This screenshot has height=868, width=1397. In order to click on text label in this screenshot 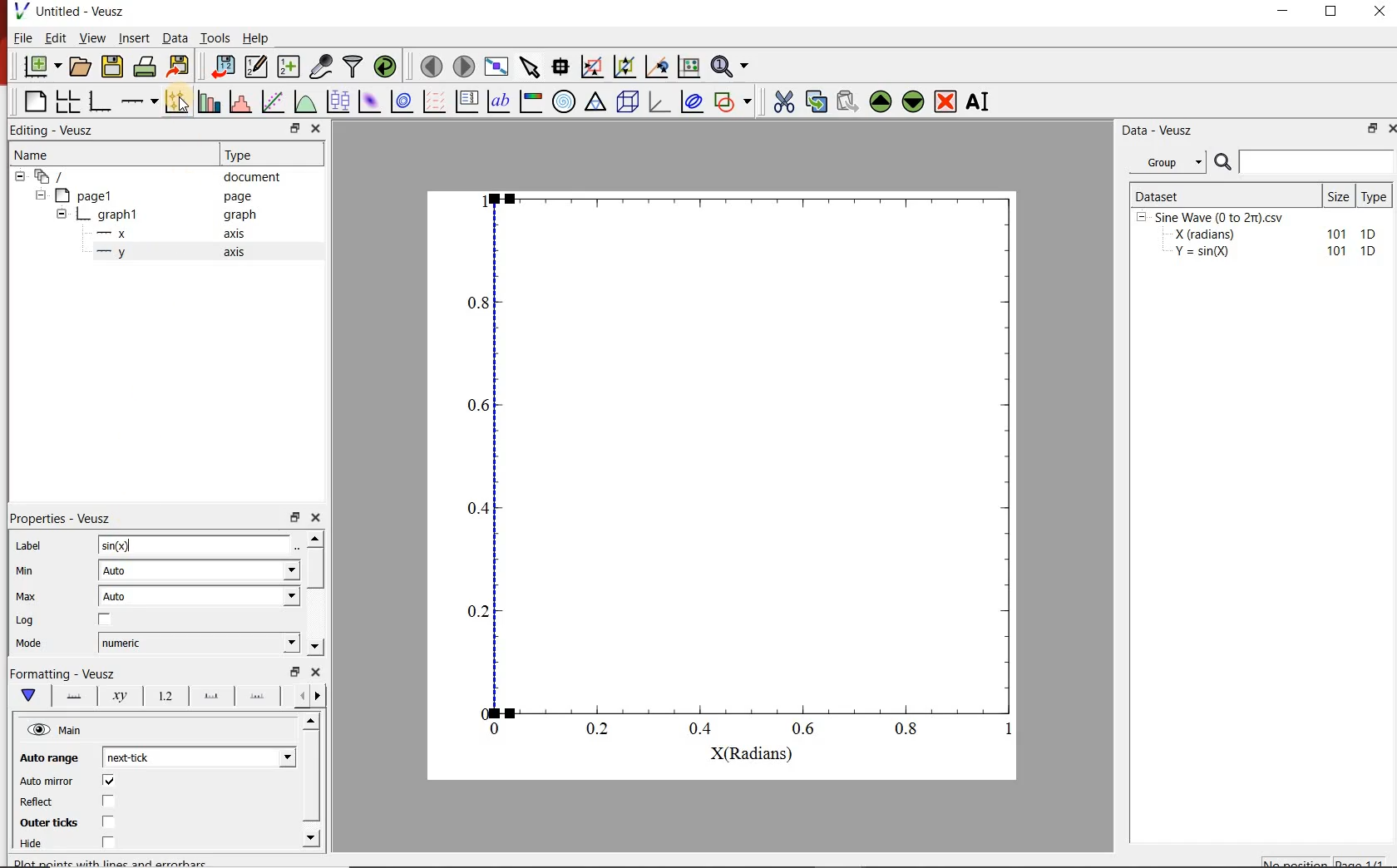, I will do `click(499, 101)`.